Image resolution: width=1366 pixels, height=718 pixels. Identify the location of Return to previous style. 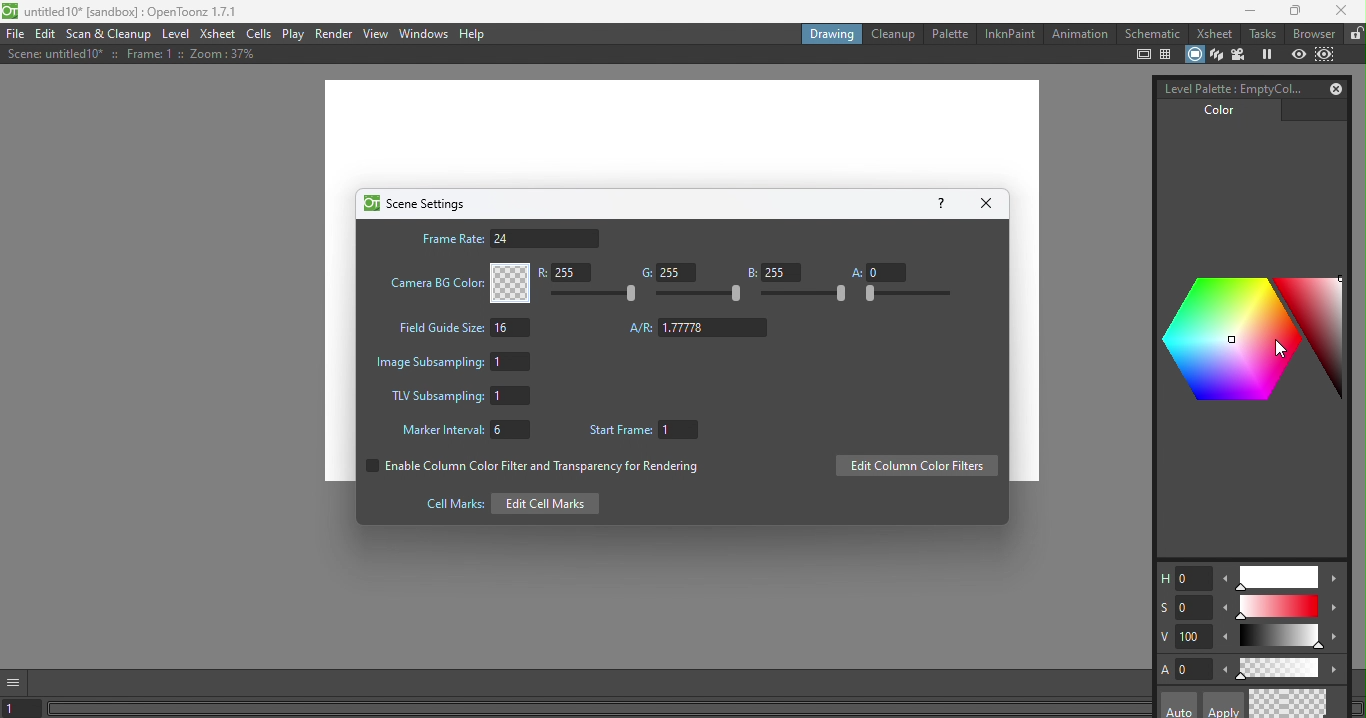
(1309, 703).